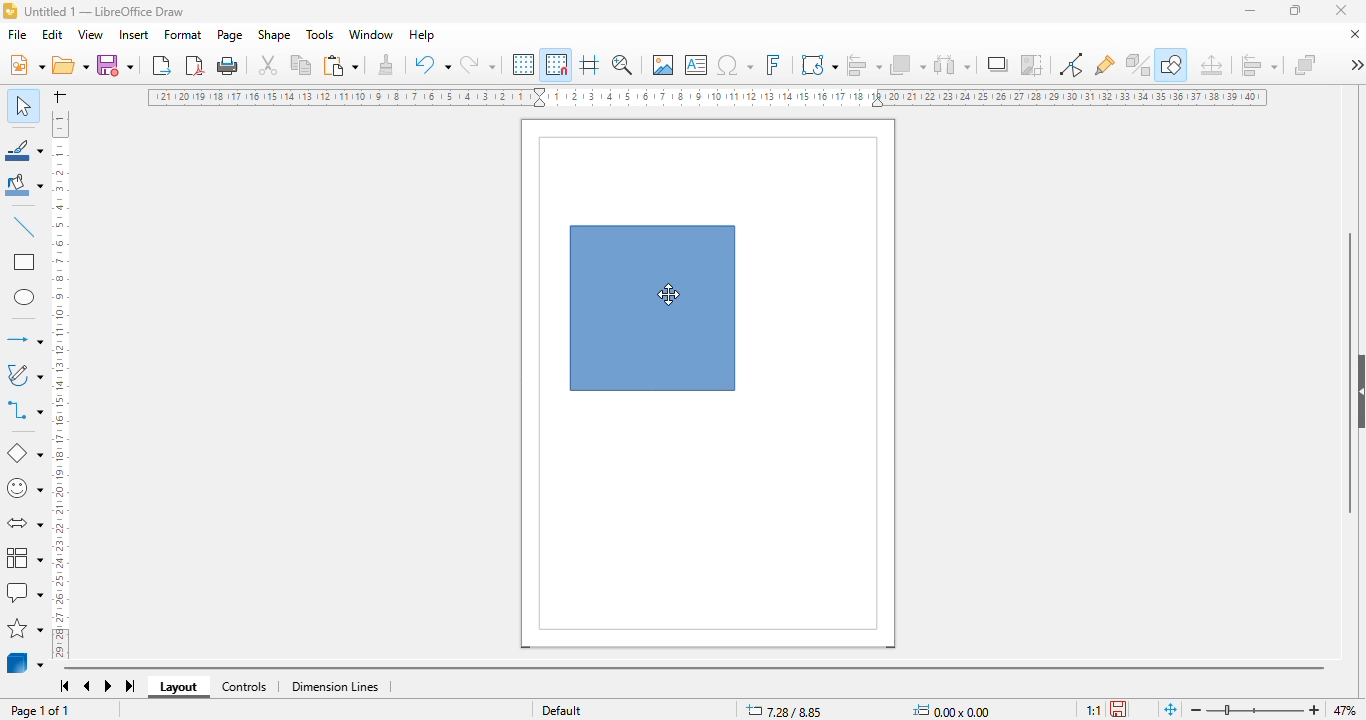 The width and height of the screenshot is (1366, 720). I want to click on edit, so click(53, 34).